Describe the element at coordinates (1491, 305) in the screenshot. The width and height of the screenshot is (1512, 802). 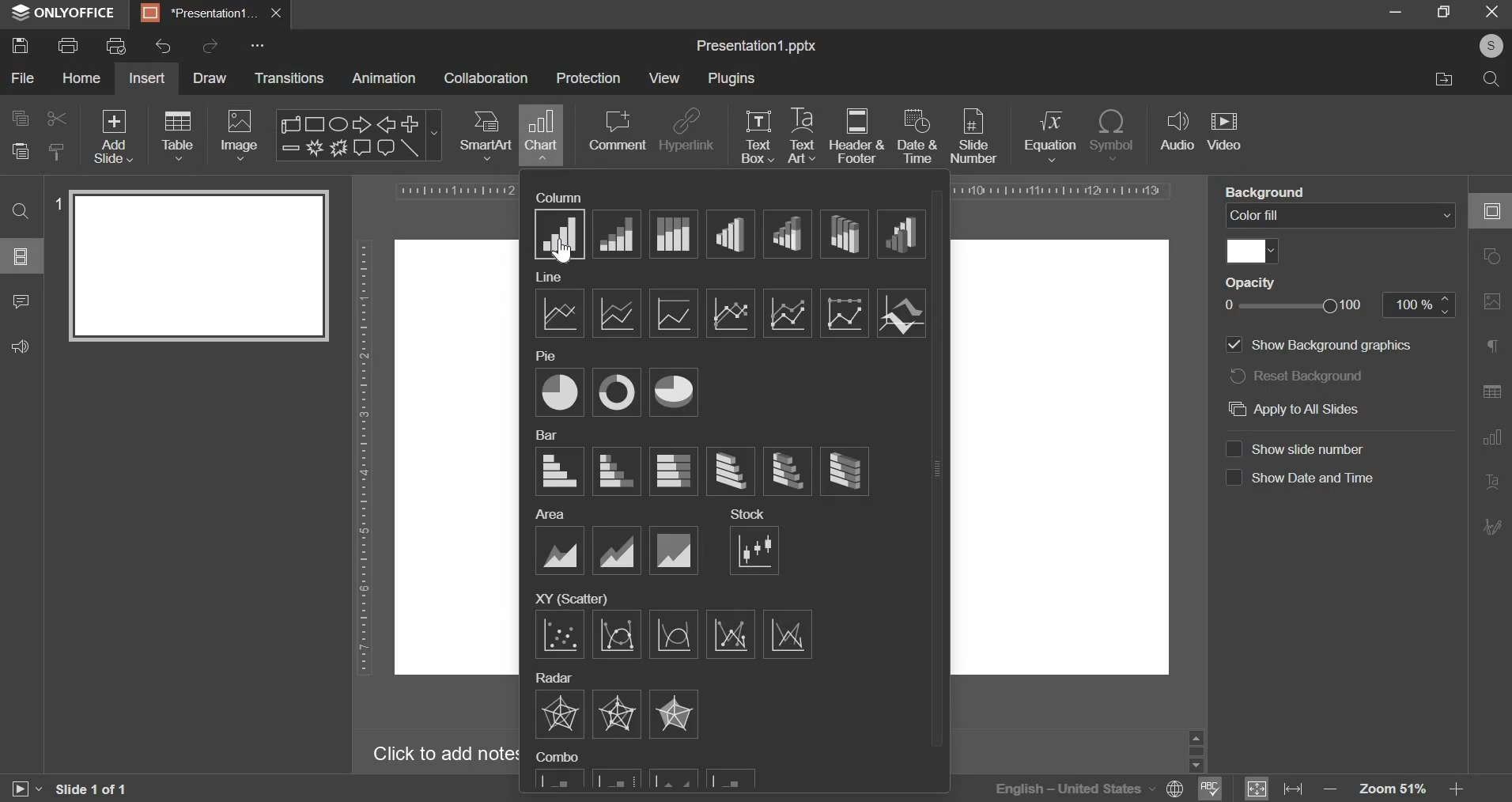
I see `image settings` at that location.